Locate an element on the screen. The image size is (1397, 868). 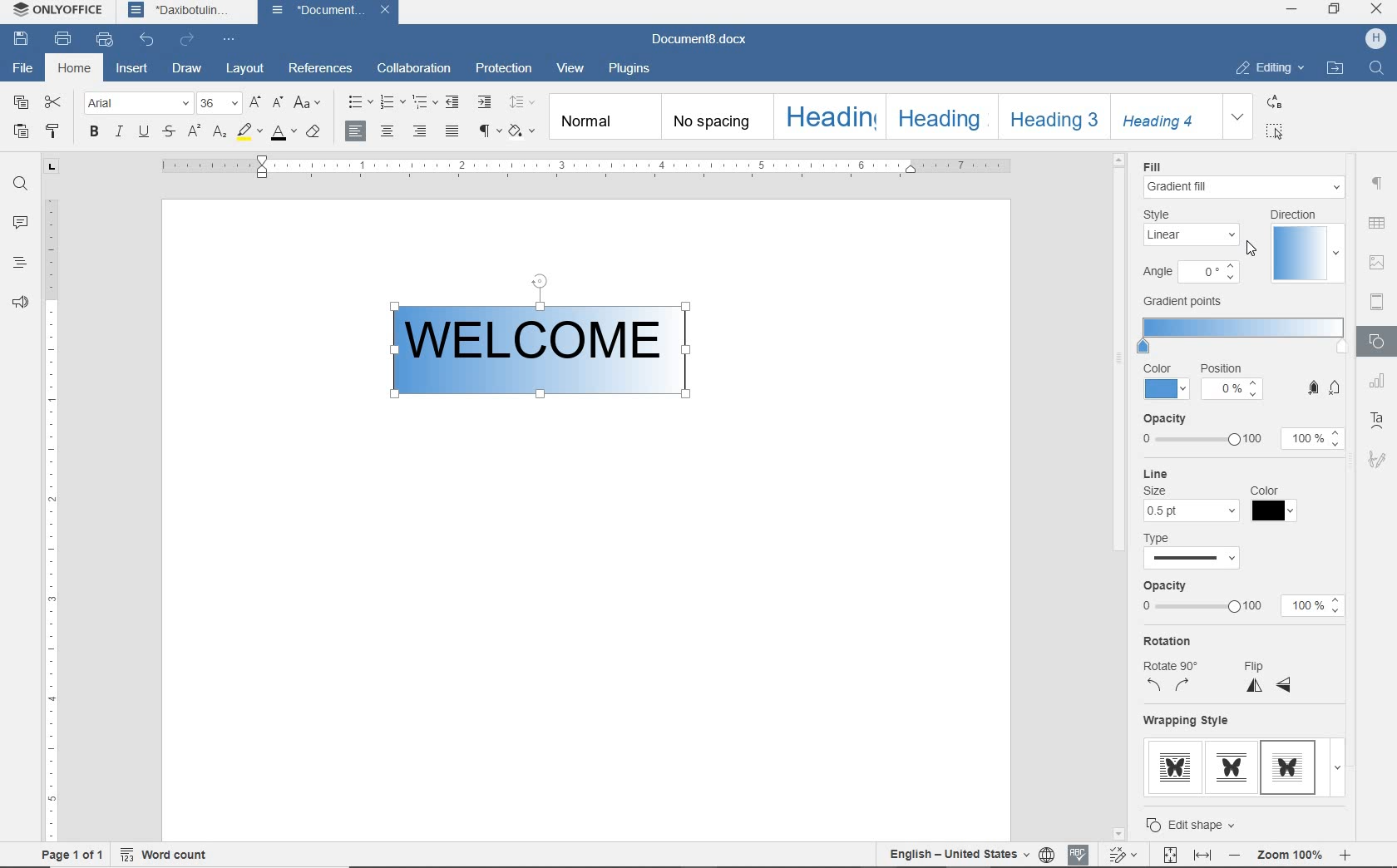
close is located at coordinates (388, 10).